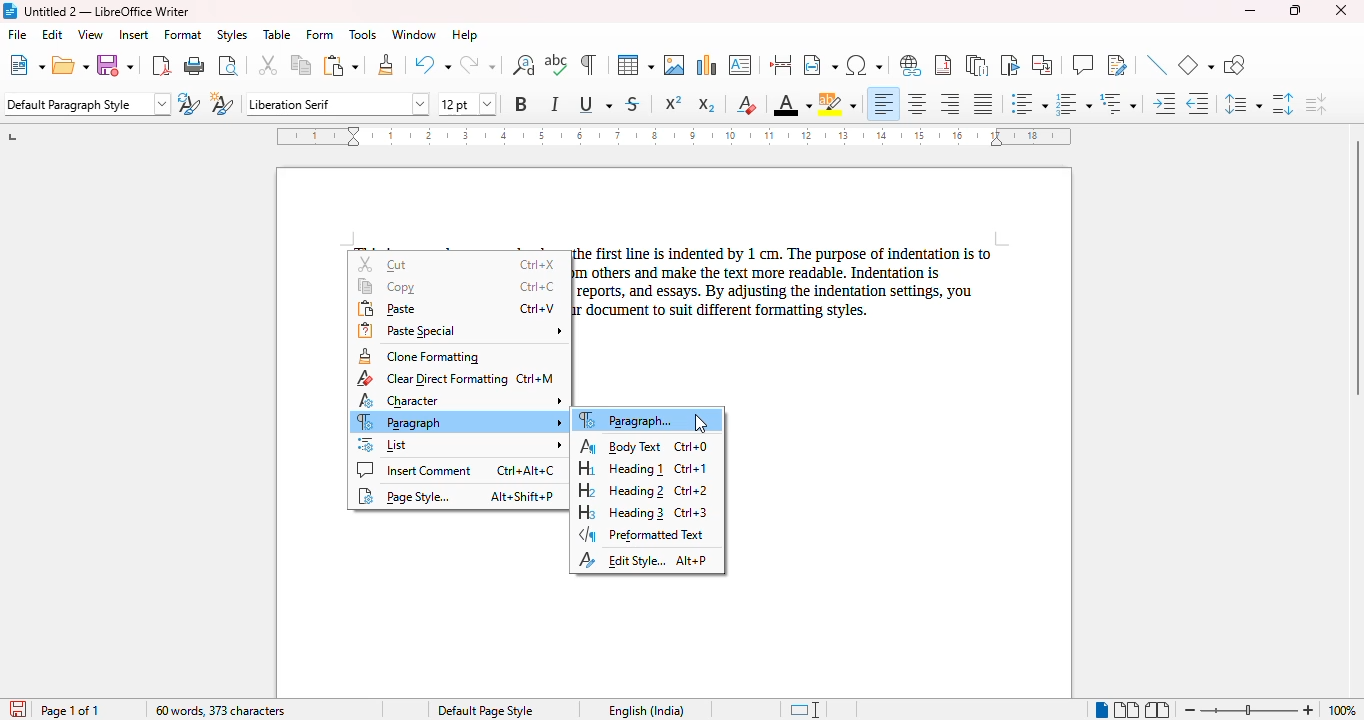 This screenshot has width=1364, height=720. Describe the element at coordinates (341, 66) in the screenshot. I see `paste` at that location.